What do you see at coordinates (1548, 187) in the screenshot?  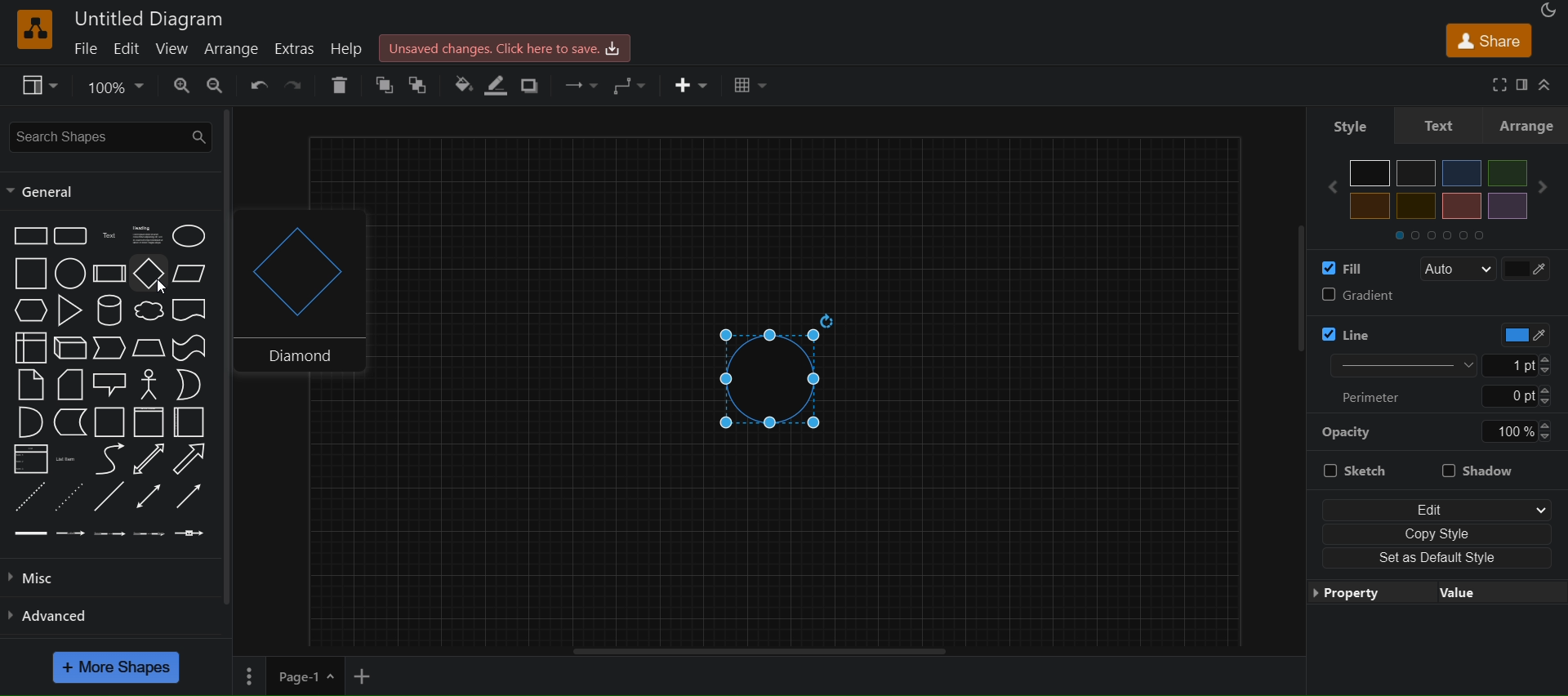 I see `next` at bounding box center [1548, 187].